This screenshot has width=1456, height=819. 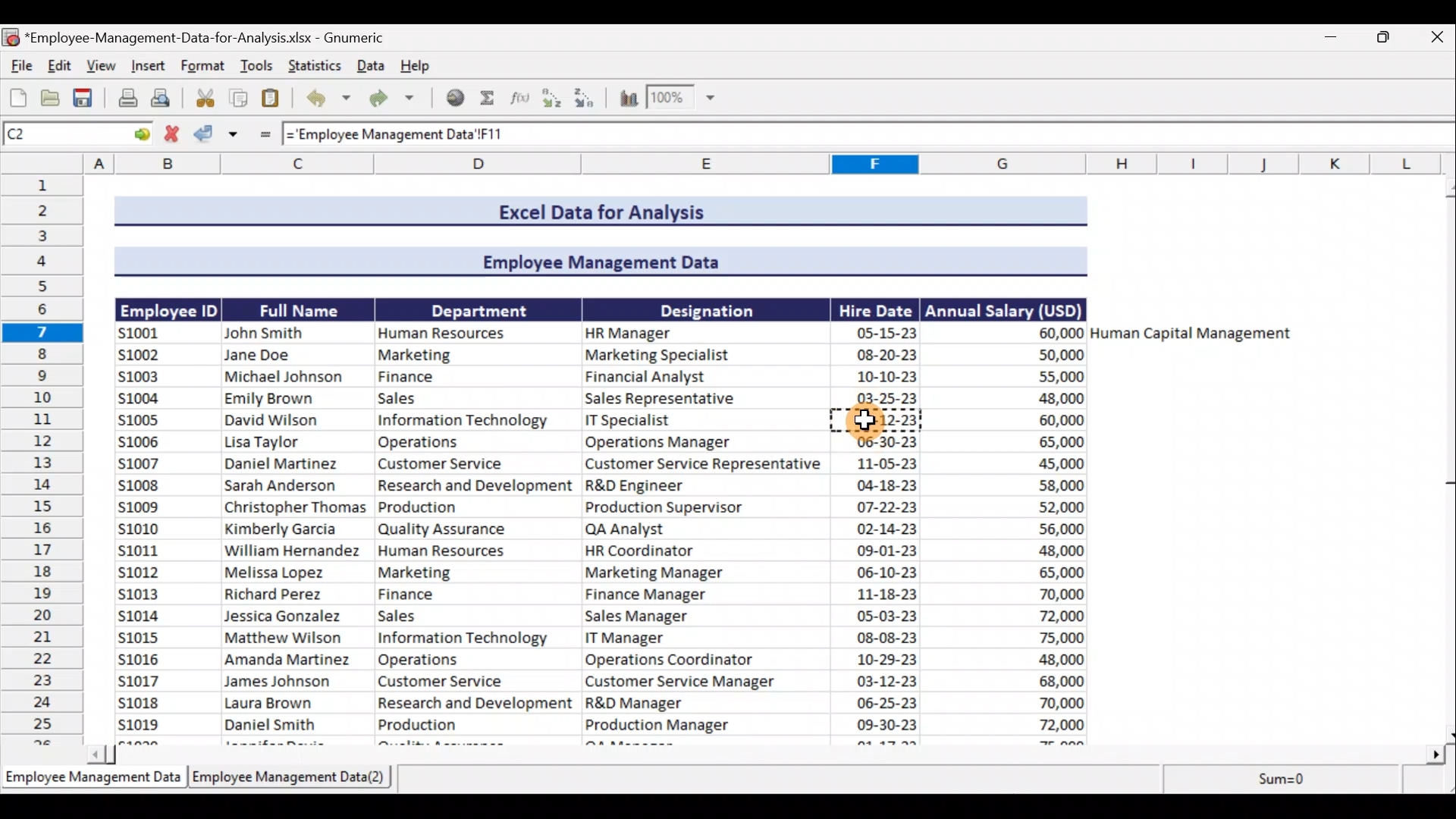 What do you see at coordinates (171, 136) in the screenshot?
I see `Cancel change` at bounding box center [171, 136].